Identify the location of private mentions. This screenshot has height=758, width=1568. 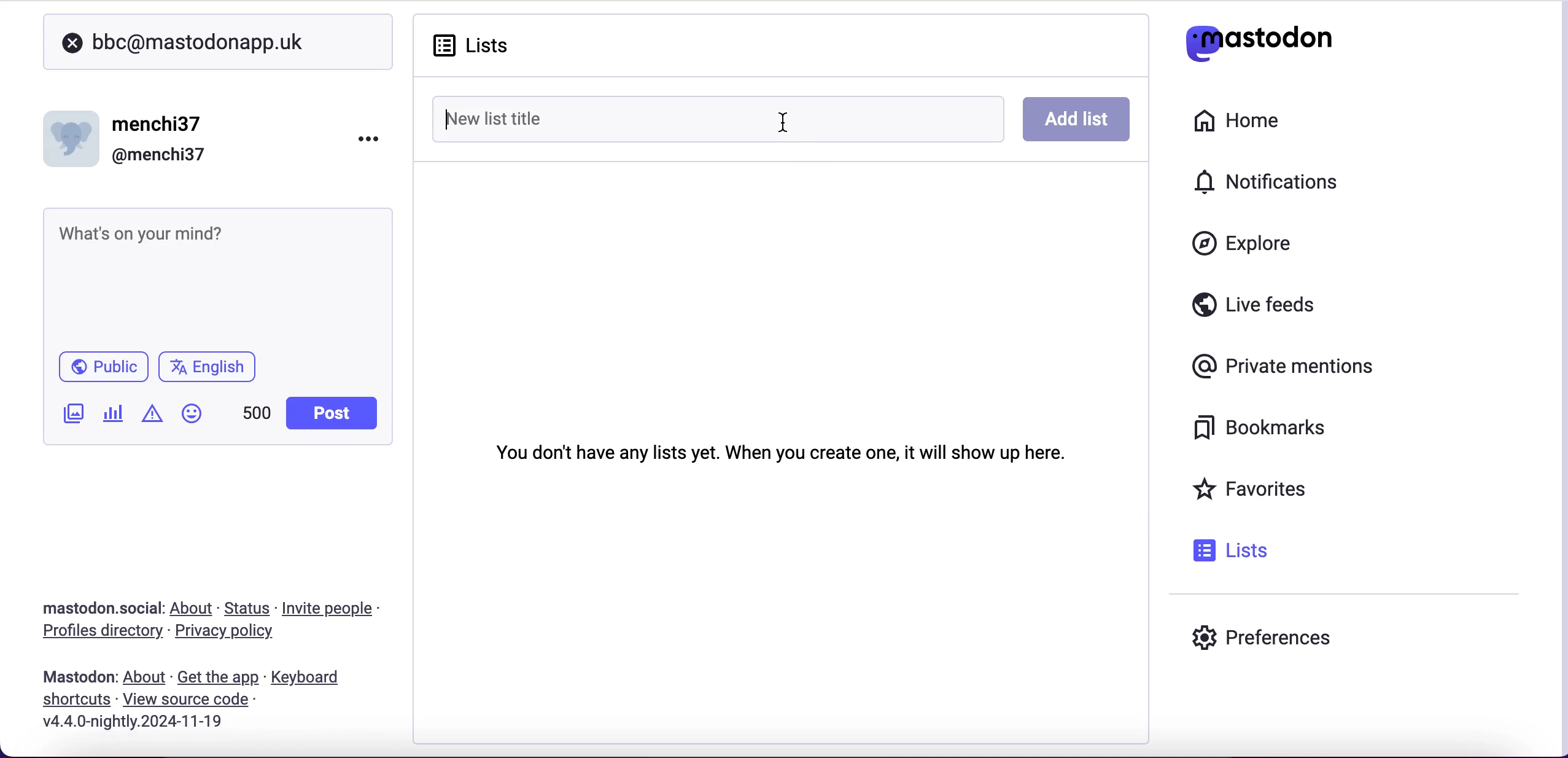
(1287, 368).